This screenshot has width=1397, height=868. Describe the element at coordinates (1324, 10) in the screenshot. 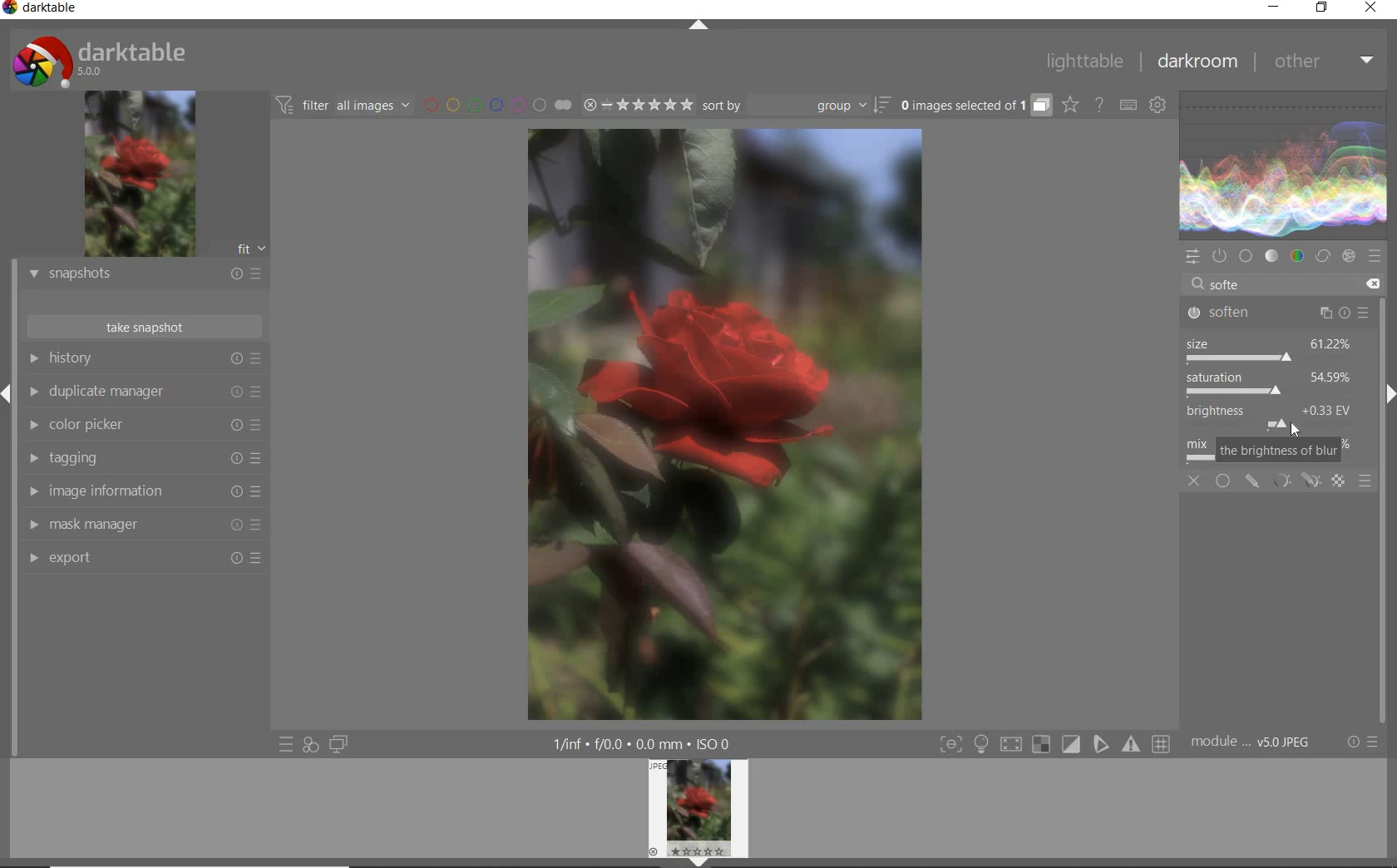

I see `restore` at that location.